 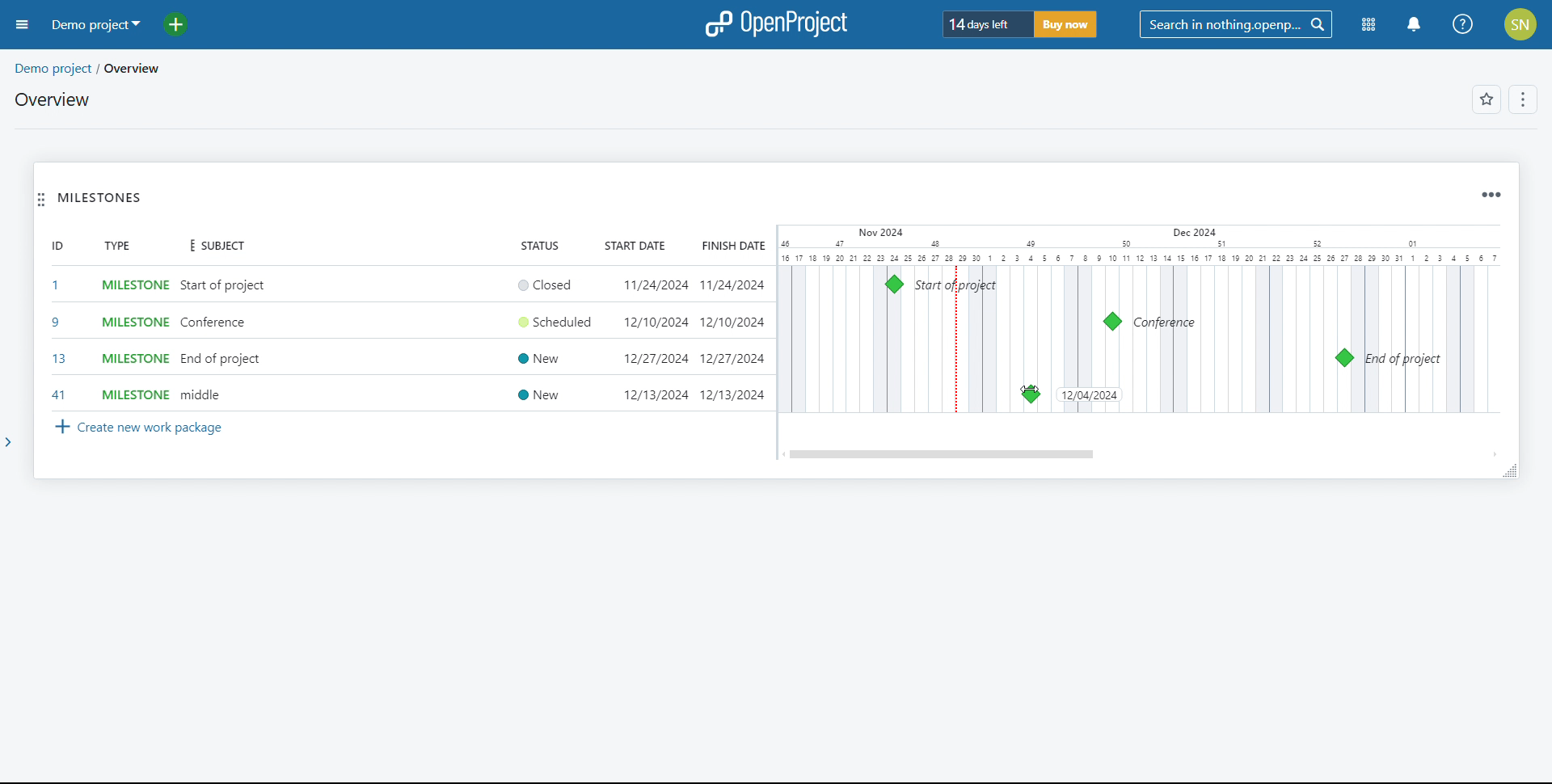 What do you see at coordinates (89, 69) in the screenshot?
I see `demo project/overview` at bounding box center [89, 69].